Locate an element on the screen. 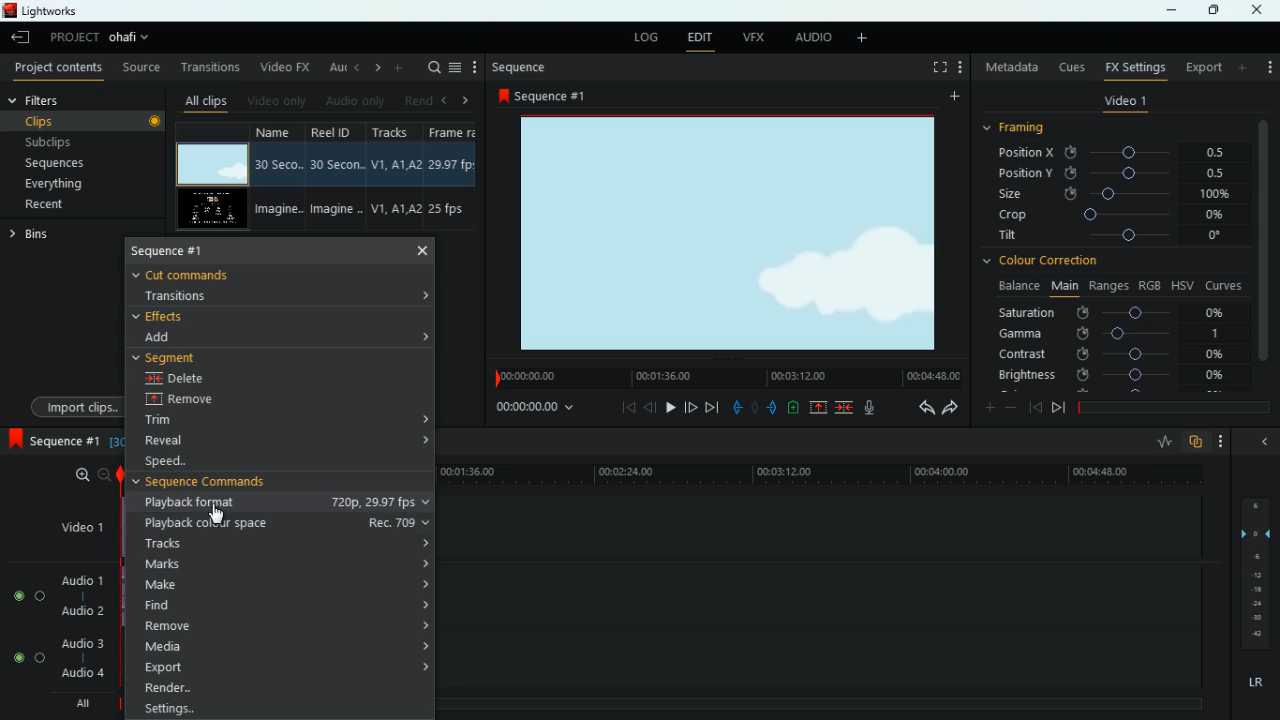 The image size is (1280, 720). framing is located at coordinates (1020, 127).